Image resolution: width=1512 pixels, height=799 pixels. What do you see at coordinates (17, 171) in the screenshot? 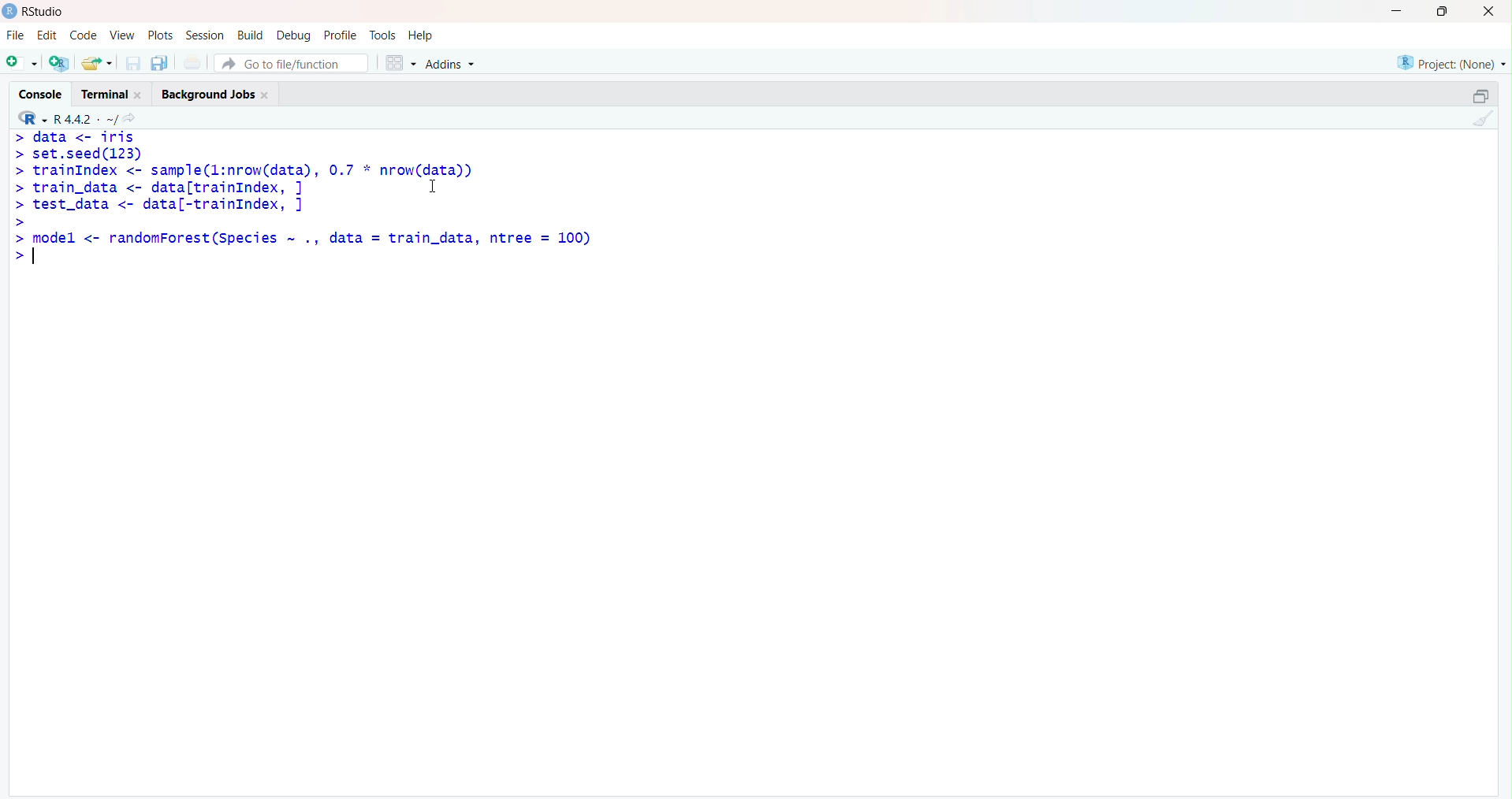
I see `Prompt cursor` at bounding box center [17, 171].